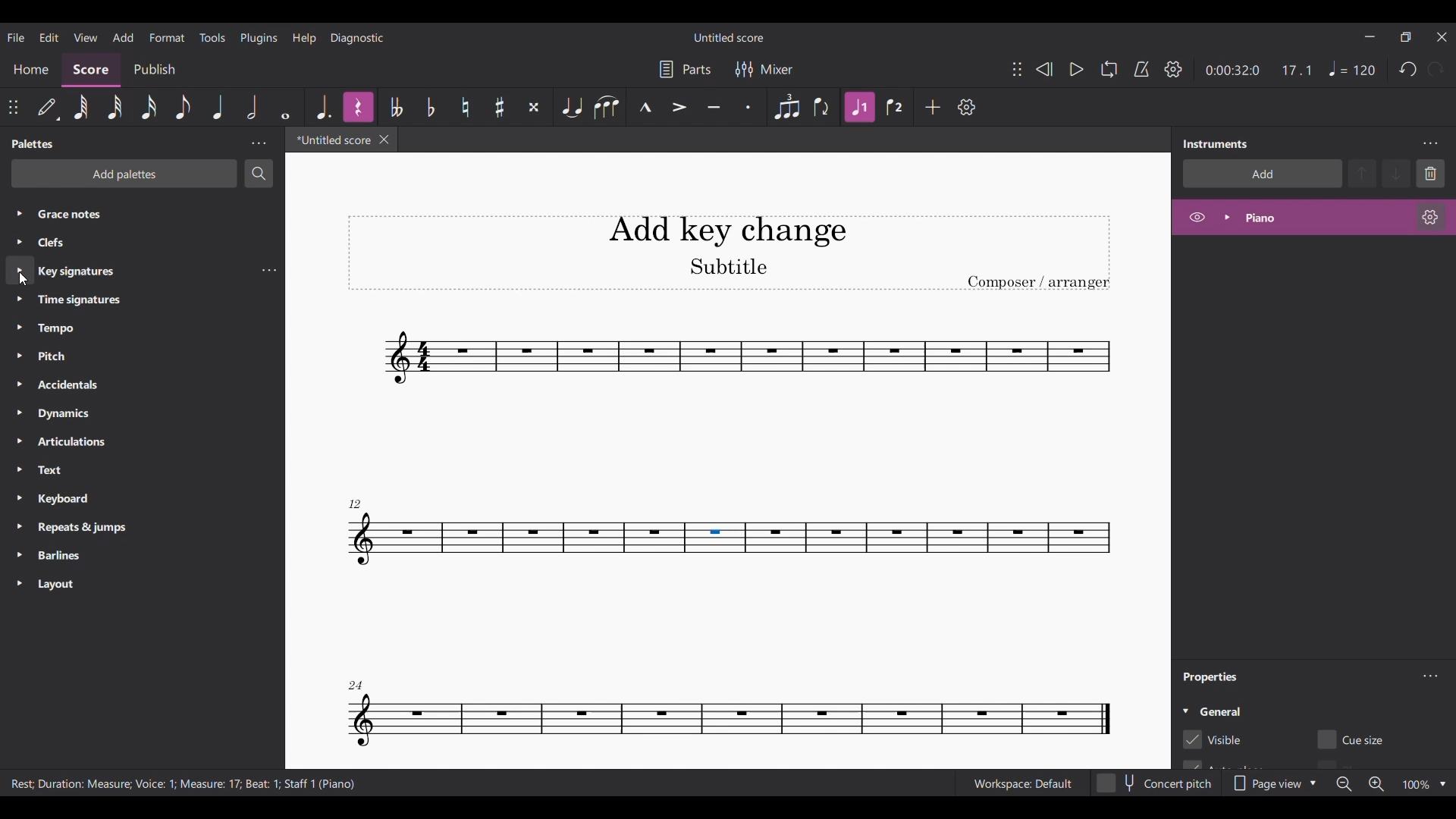  What do you see at coordinates (92, 70) in the screenshot?
I see `Score, current section highlighted` at bounding box center [92, 70].